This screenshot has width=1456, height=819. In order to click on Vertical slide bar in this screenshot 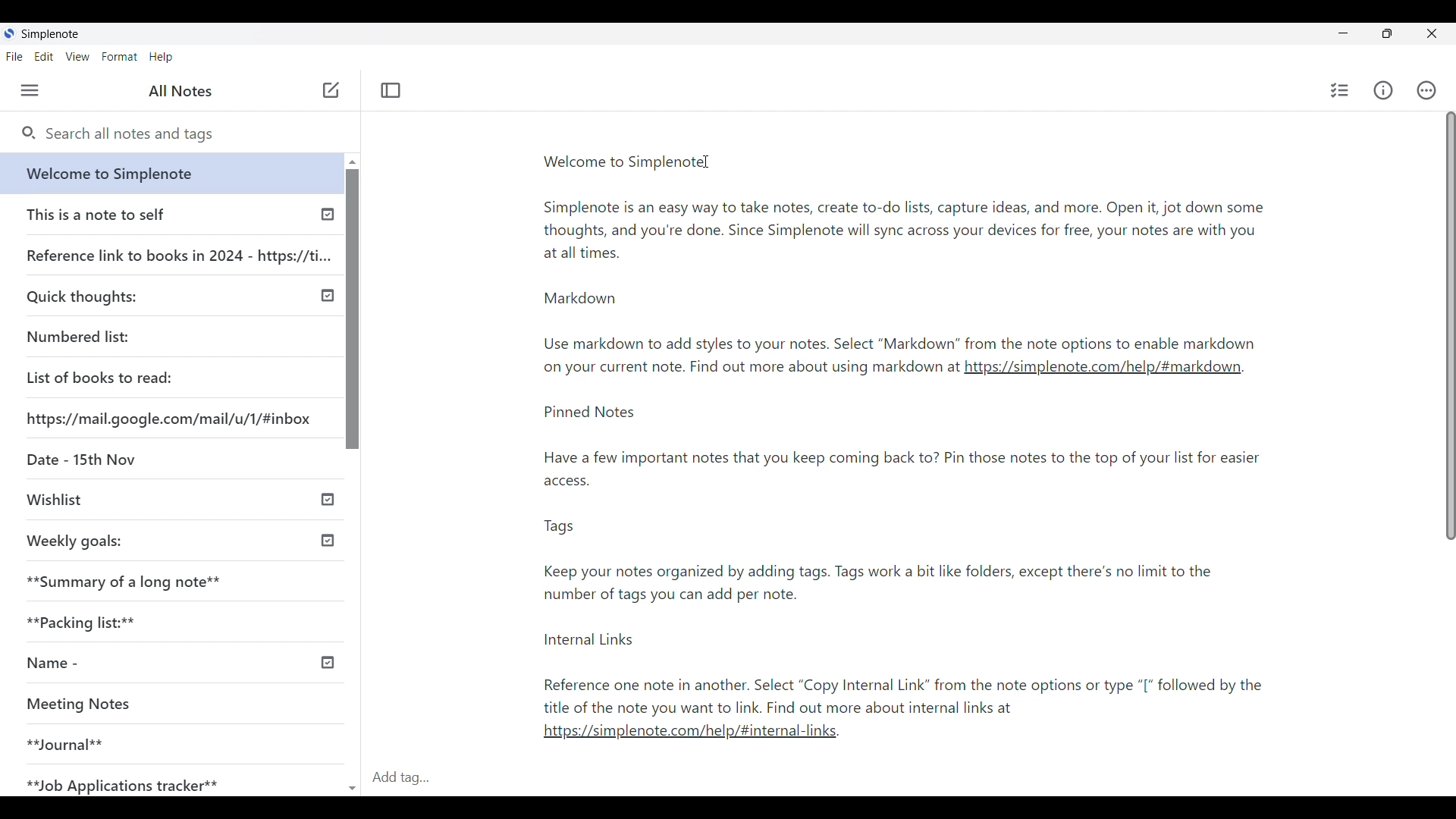, I will do `click(1450, 328)`.